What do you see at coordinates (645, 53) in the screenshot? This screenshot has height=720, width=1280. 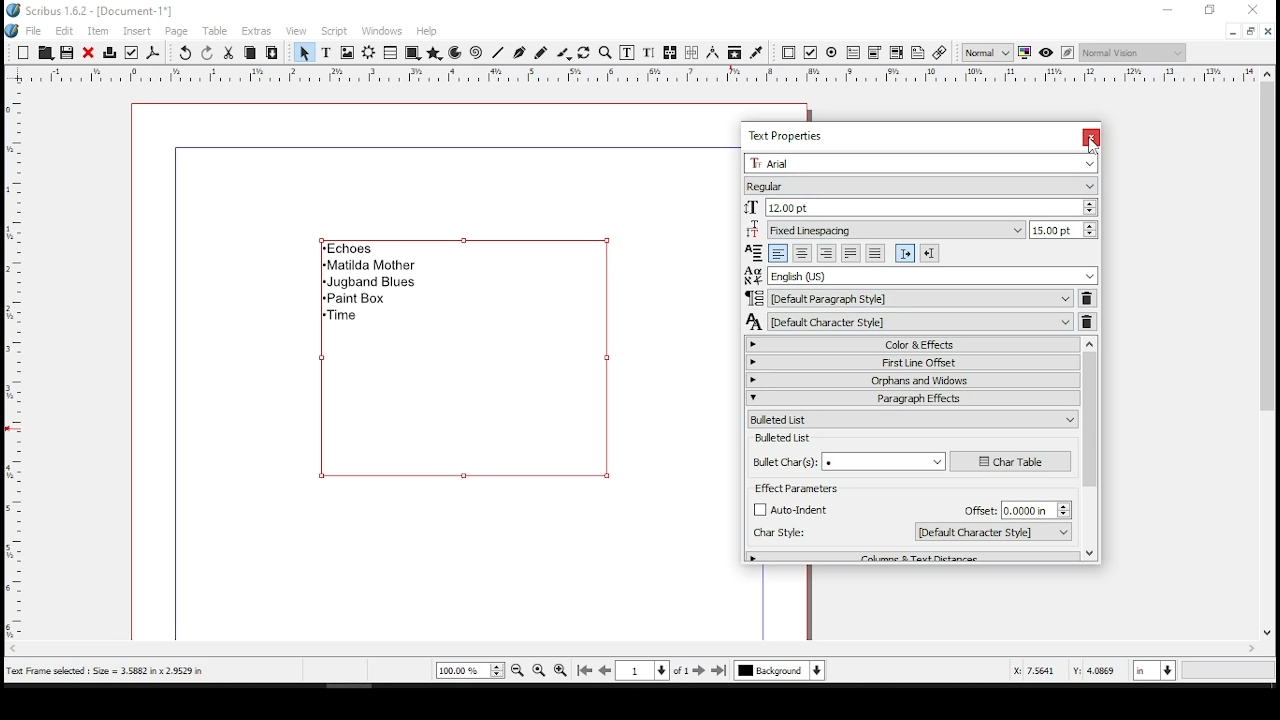 I see `edit text with story editor` at bounding box center [645, 53].